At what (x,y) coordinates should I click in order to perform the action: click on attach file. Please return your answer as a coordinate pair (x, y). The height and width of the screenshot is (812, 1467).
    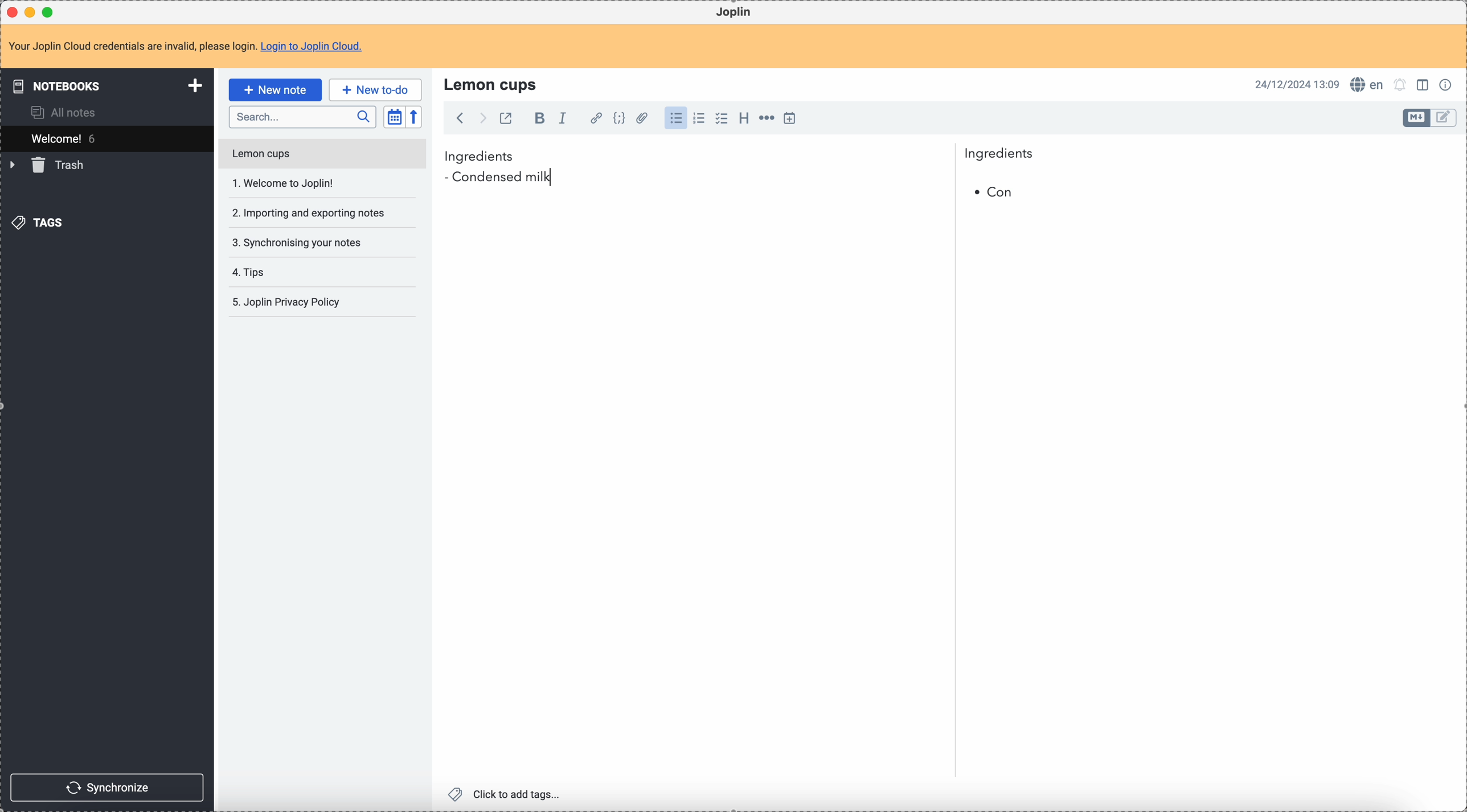
    Looking at the image, I should click on (640, 119).